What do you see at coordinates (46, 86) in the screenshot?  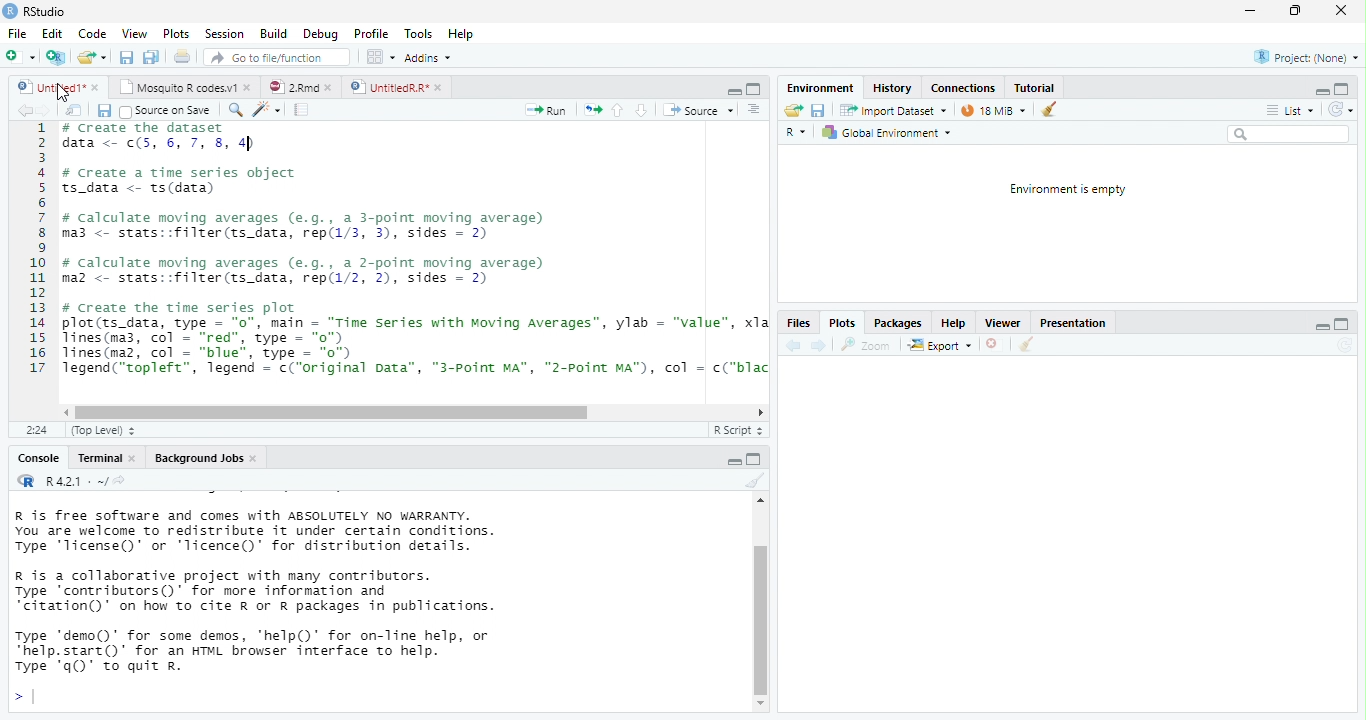 I see `untitled 1` at bounding box center [46, 86].